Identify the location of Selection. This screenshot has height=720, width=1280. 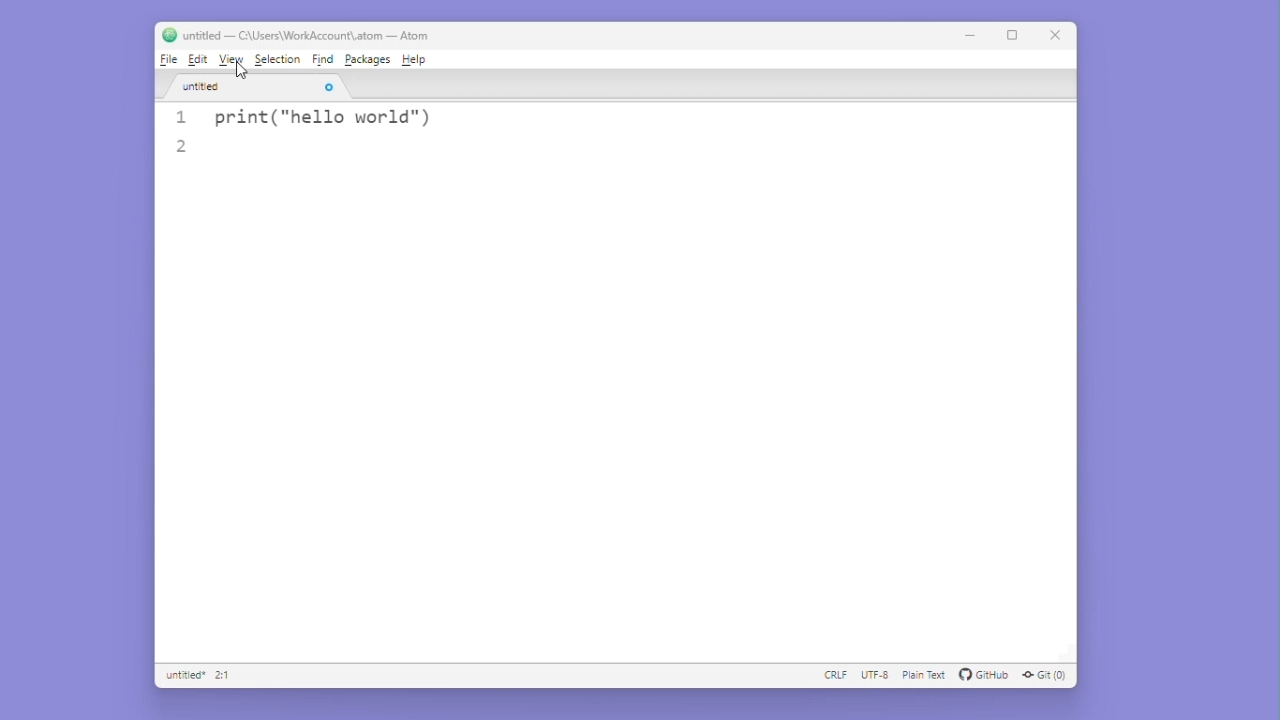
(280, 60).